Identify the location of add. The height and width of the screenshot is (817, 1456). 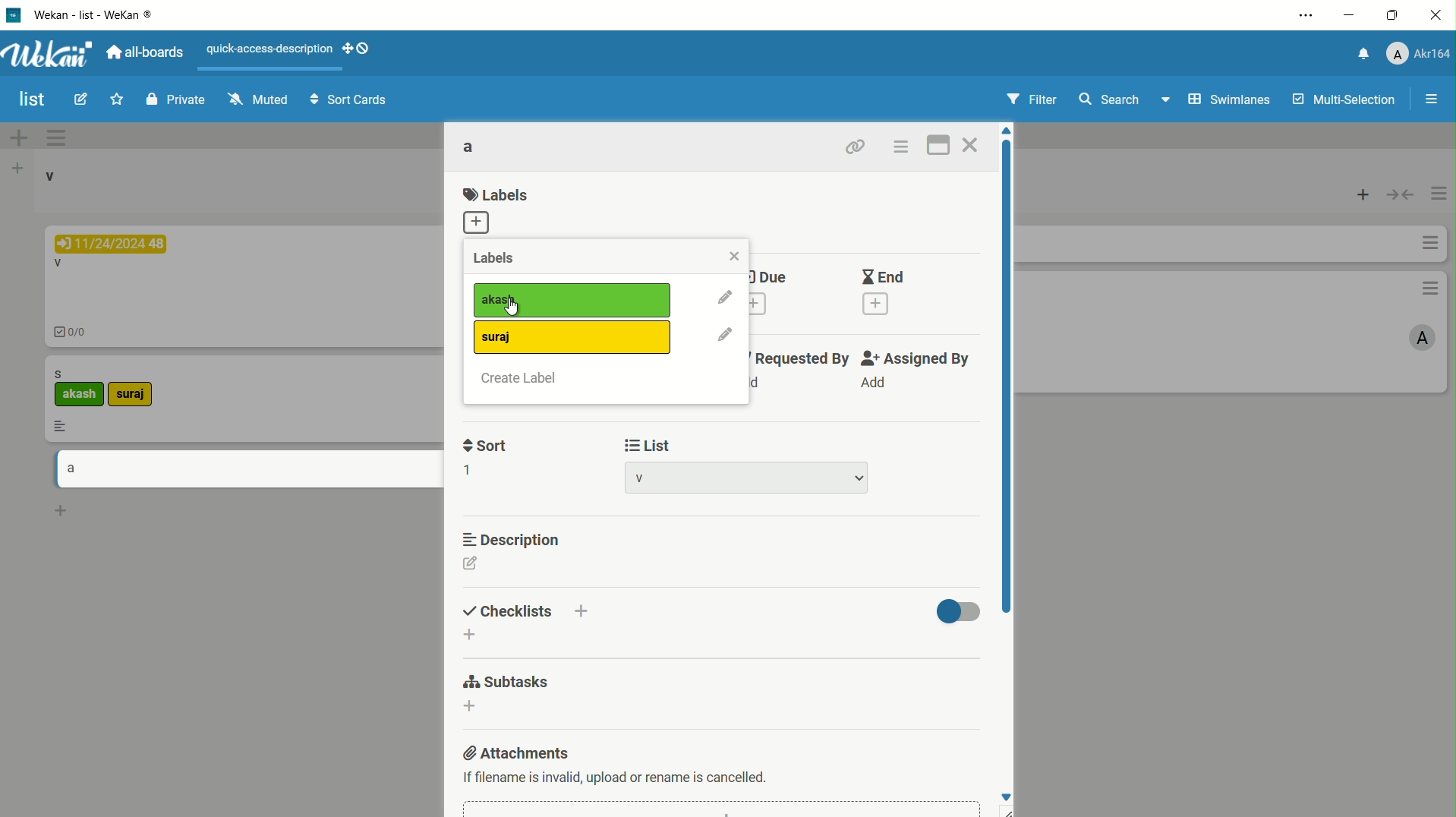
(1363, 195).